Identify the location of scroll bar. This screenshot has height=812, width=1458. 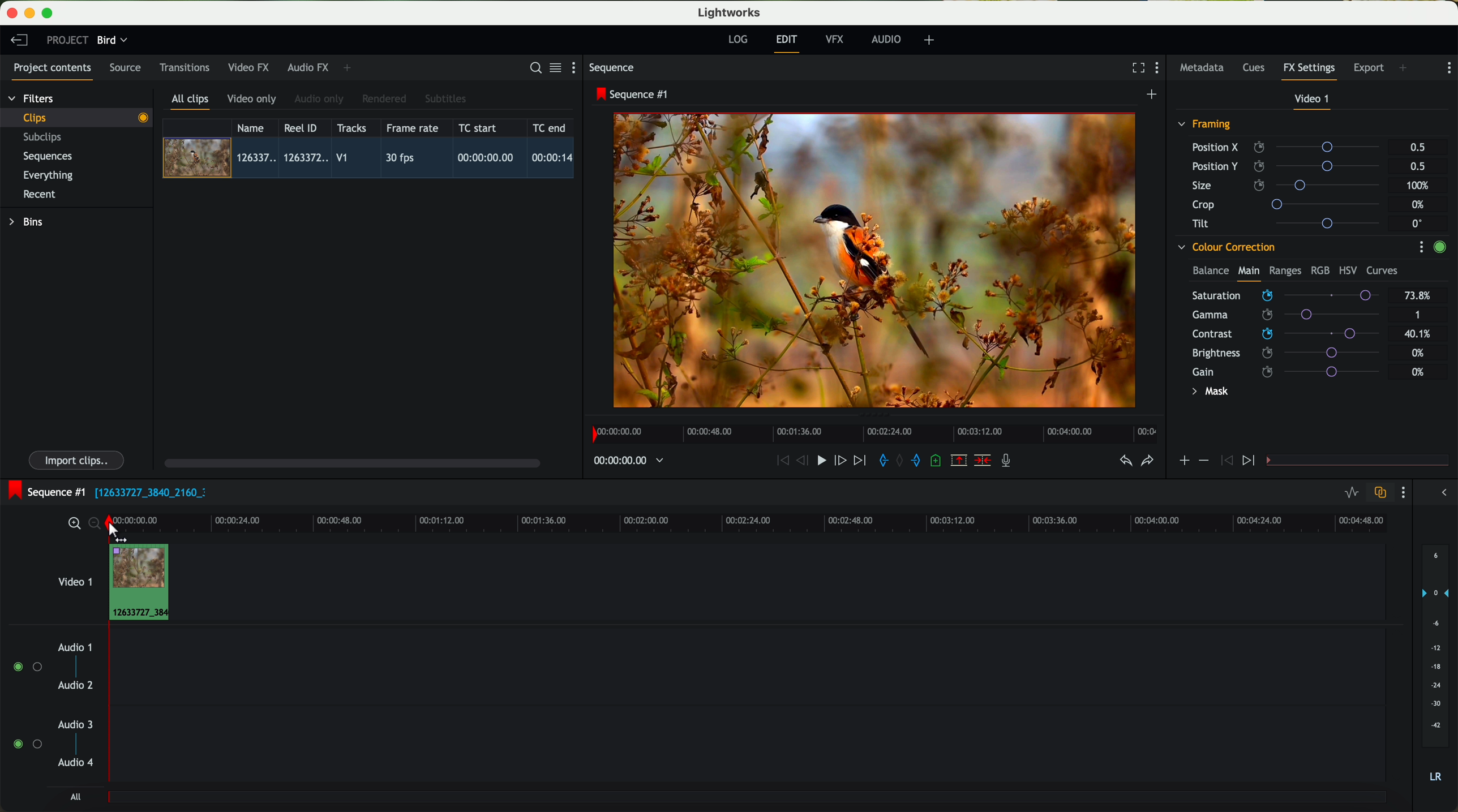
(351, 462).